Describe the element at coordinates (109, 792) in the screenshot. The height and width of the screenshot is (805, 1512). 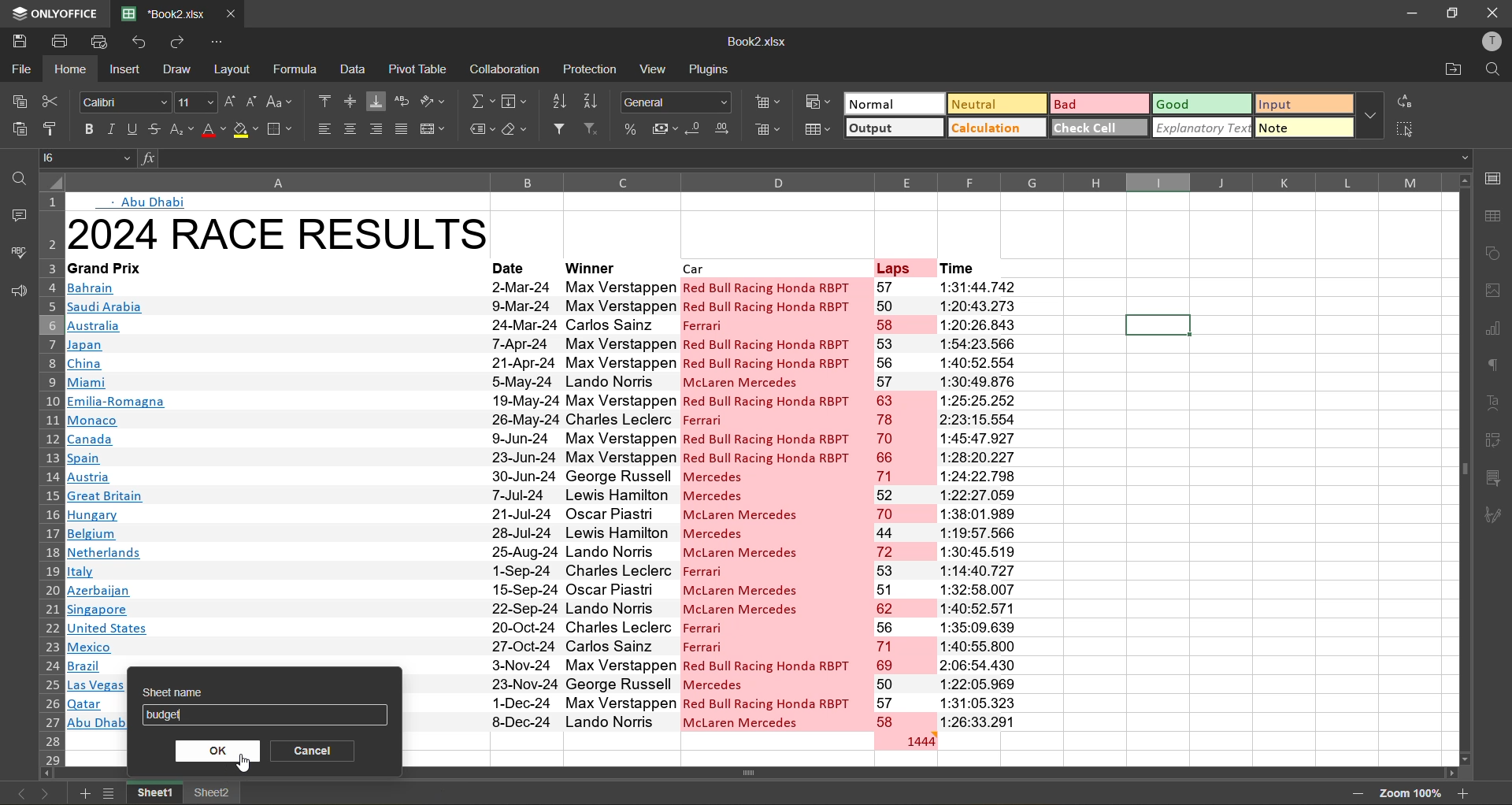
I see `sheet list` at that location.